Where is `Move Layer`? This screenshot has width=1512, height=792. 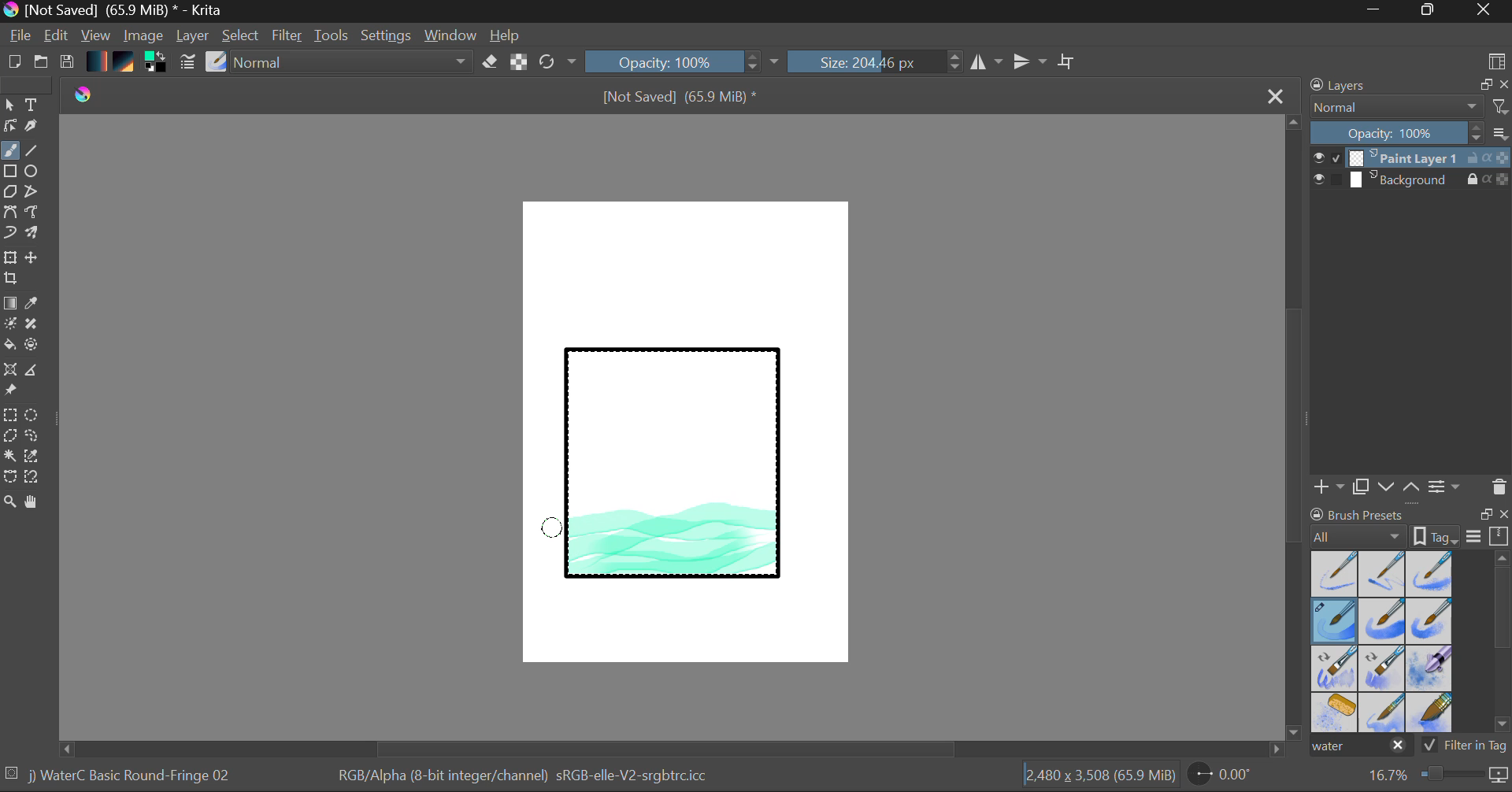
Move Layer is located at coordinates (33, 257).